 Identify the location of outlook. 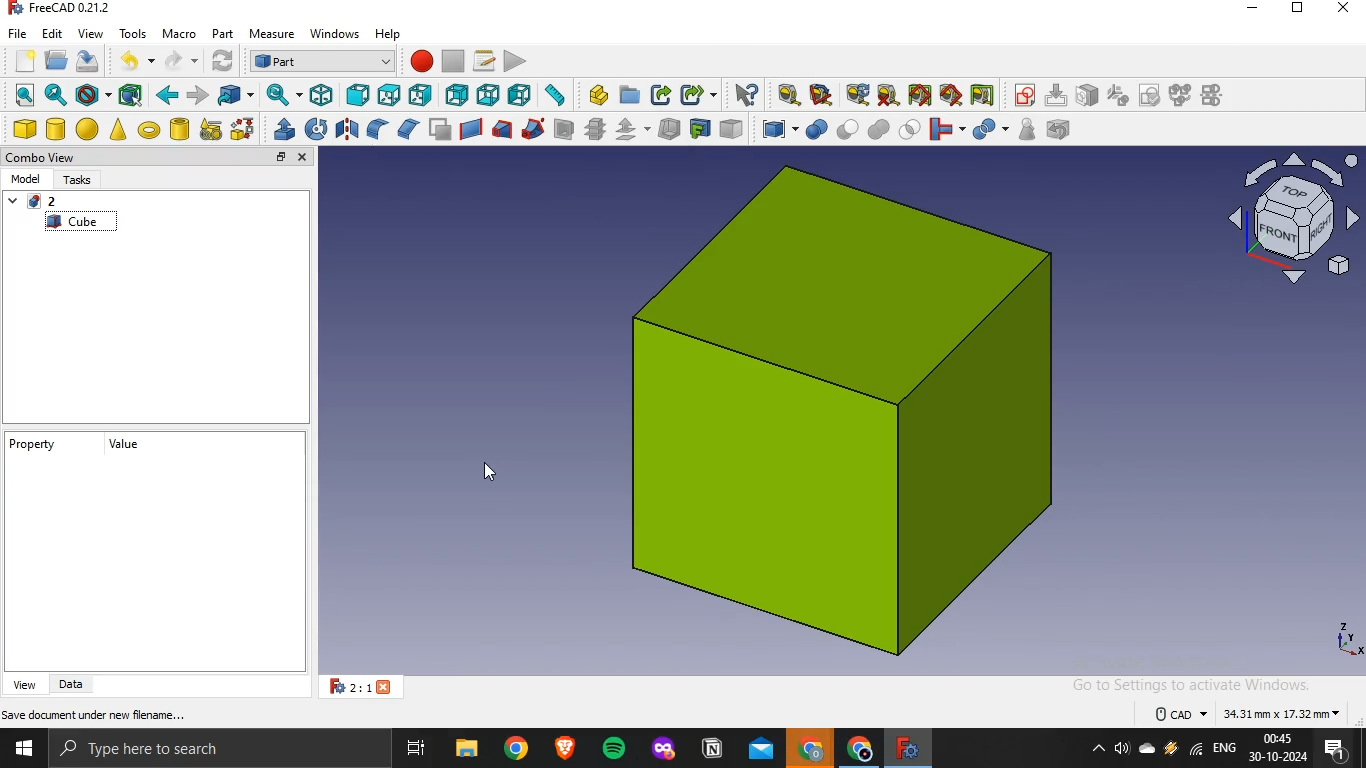
(762, 748).